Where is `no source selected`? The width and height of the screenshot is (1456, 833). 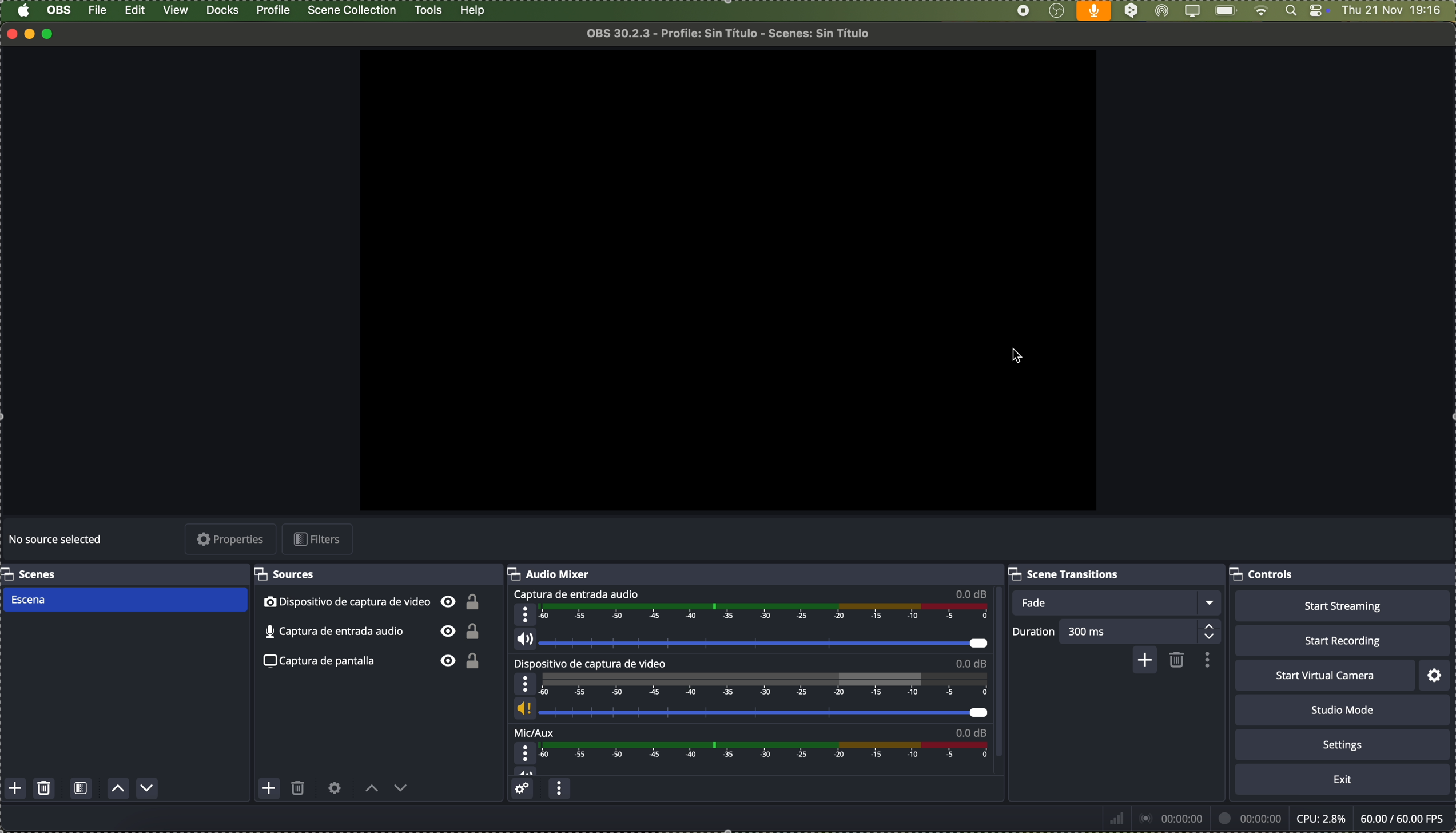 no source selected is located at coordinates (57, 541).